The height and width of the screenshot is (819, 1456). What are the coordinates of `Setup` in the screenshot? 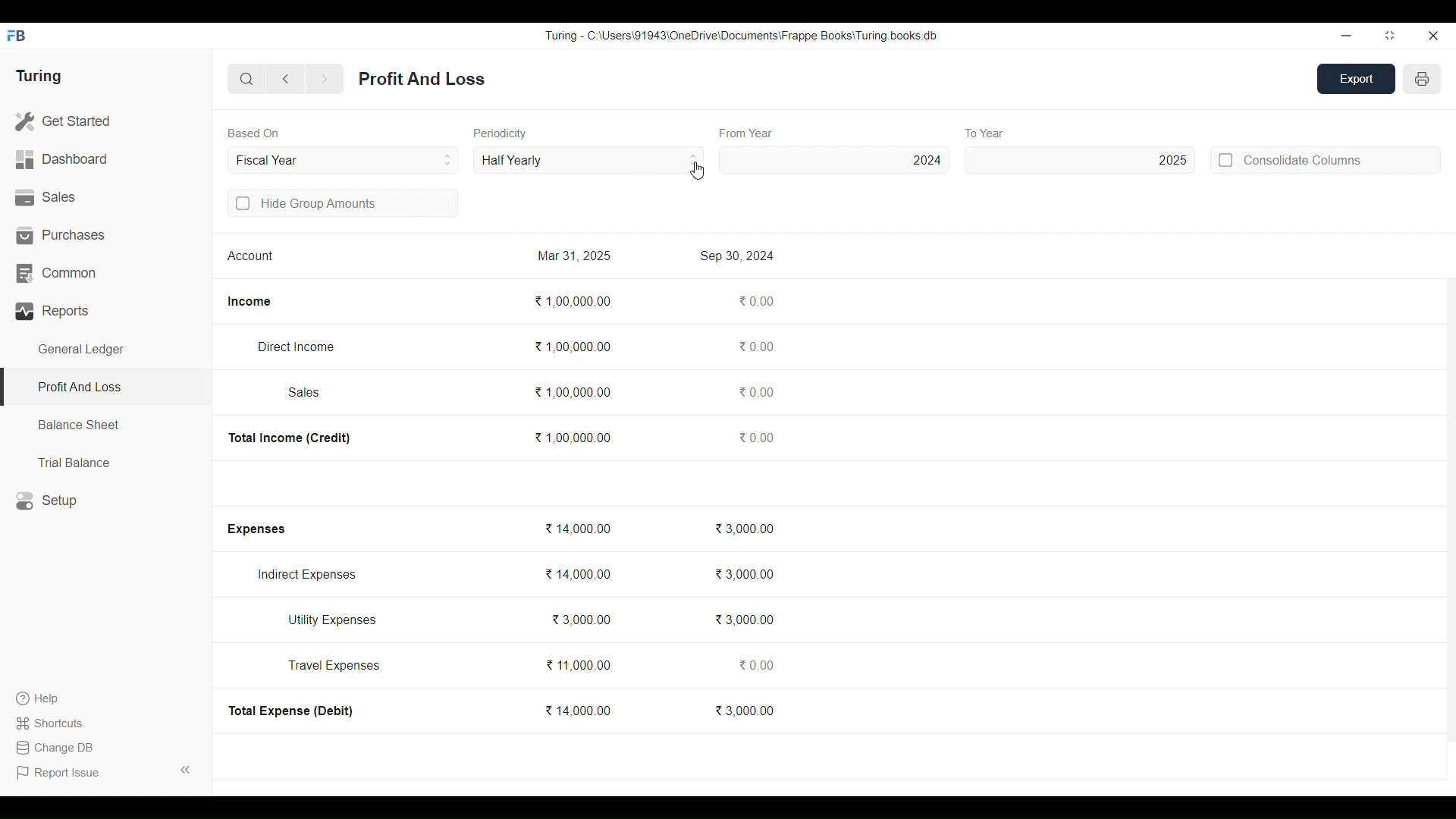 It's located at (106, 500).